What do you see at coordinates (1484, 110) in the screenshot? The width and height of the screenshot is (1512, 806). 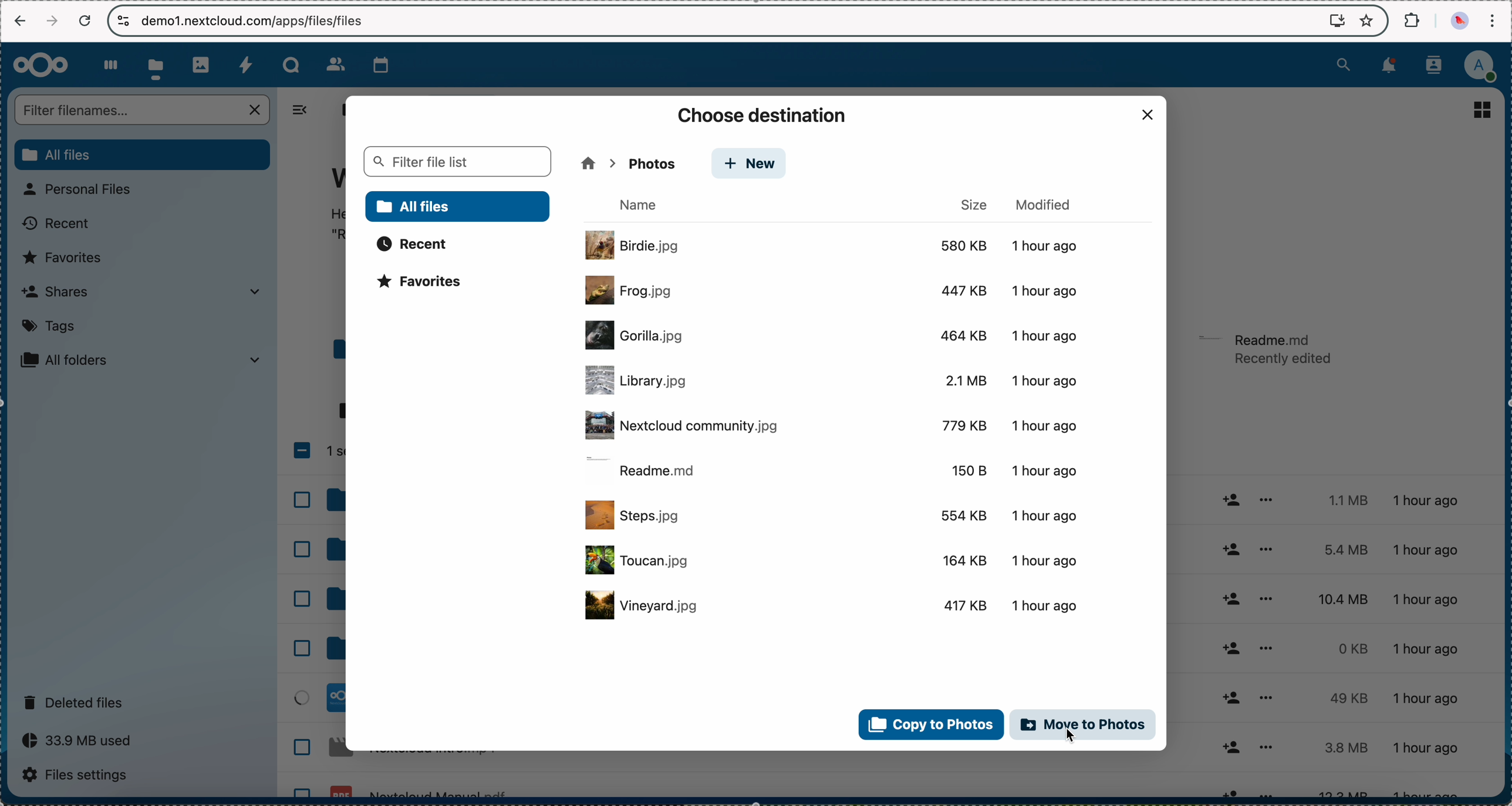 I see `list view` at bounding box center [1484, 110].